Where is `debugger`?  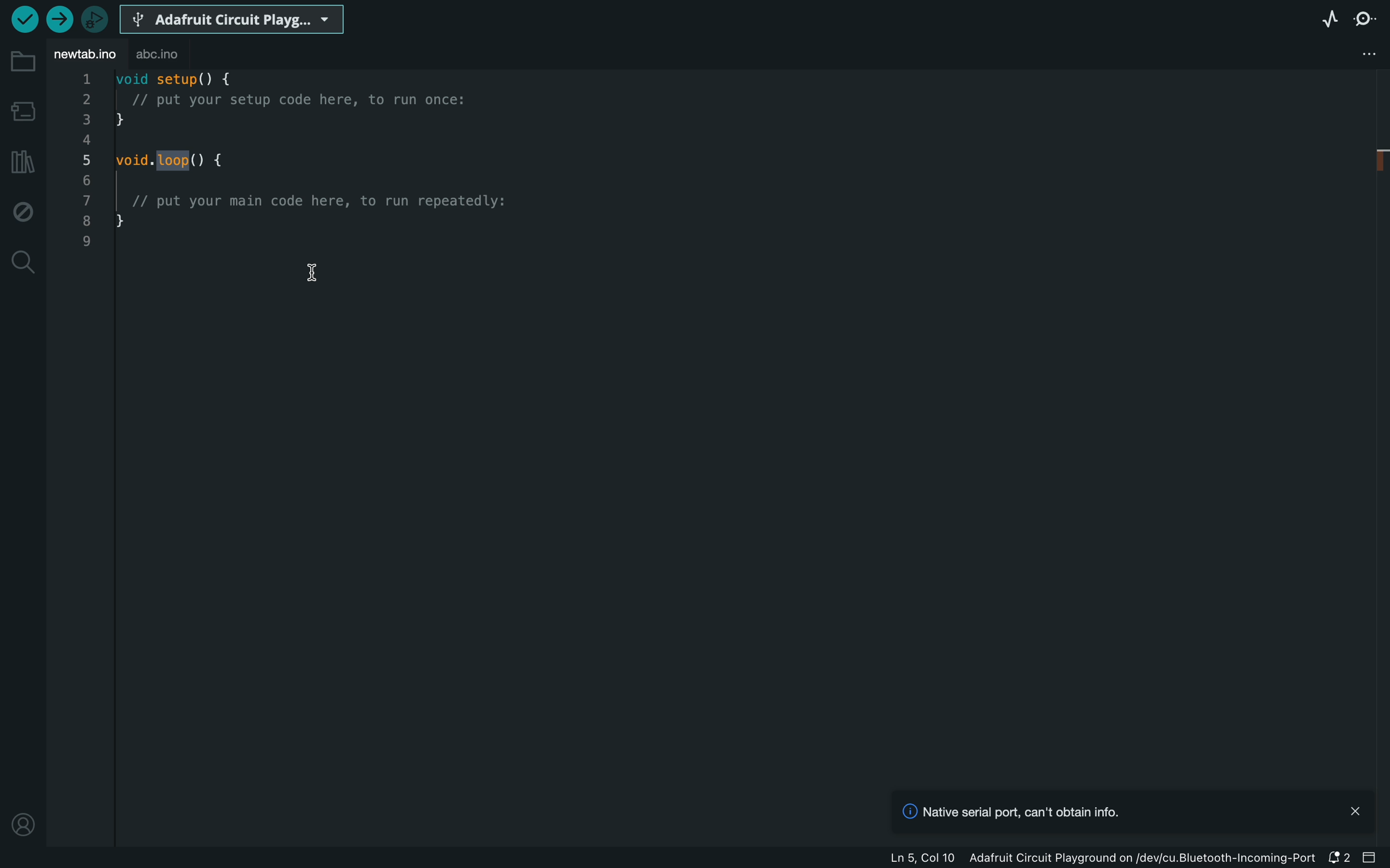
debugger is located at coordinates (95, 21).